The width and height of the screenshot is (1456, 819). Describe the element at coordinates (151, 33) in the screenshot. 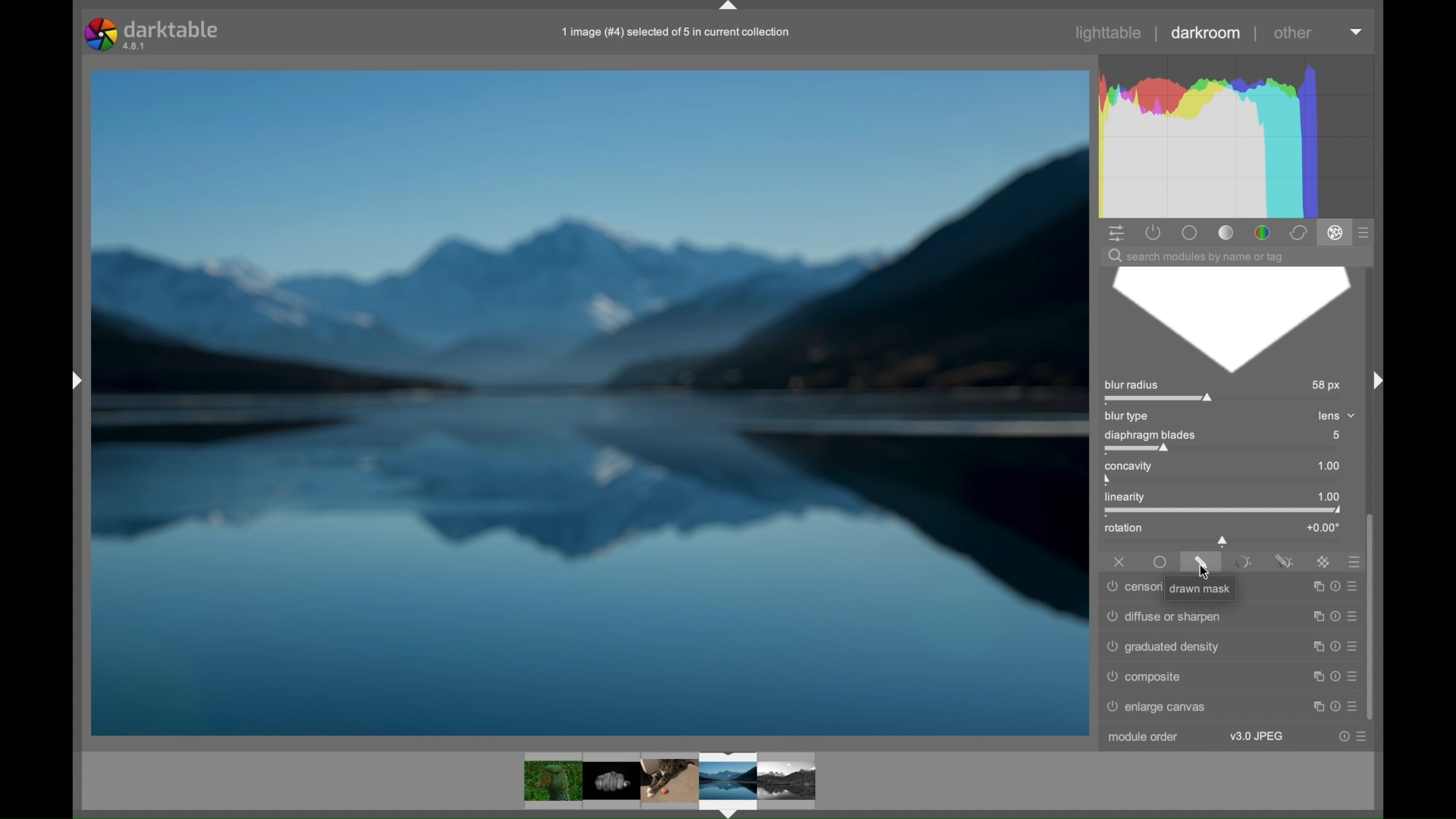

I see `darktable` at that location.